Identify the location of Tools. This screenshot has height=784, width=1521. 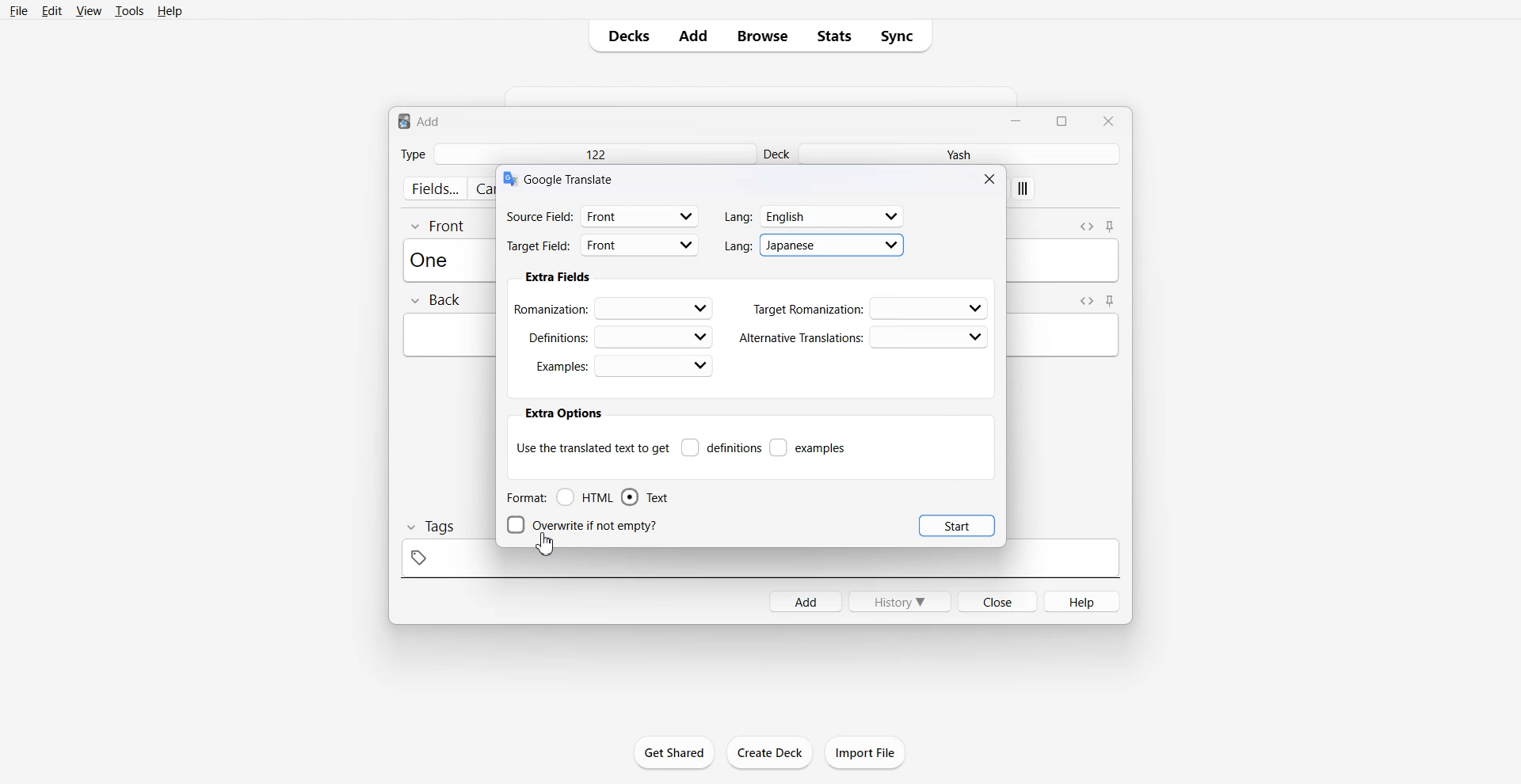
(129, 10).